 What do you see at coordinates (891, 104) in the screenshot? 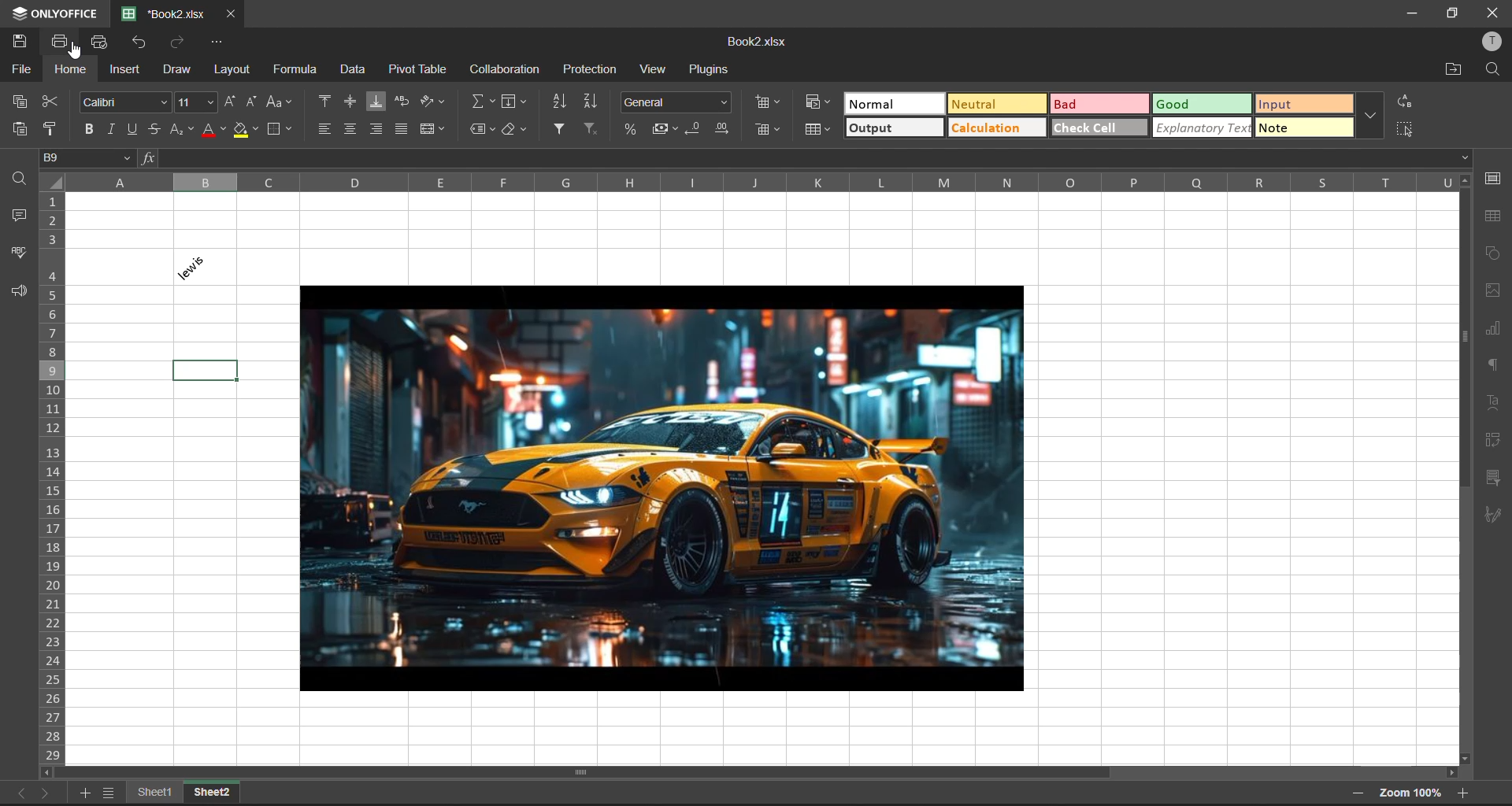
I see `normal` at bounding box center [891, 104].